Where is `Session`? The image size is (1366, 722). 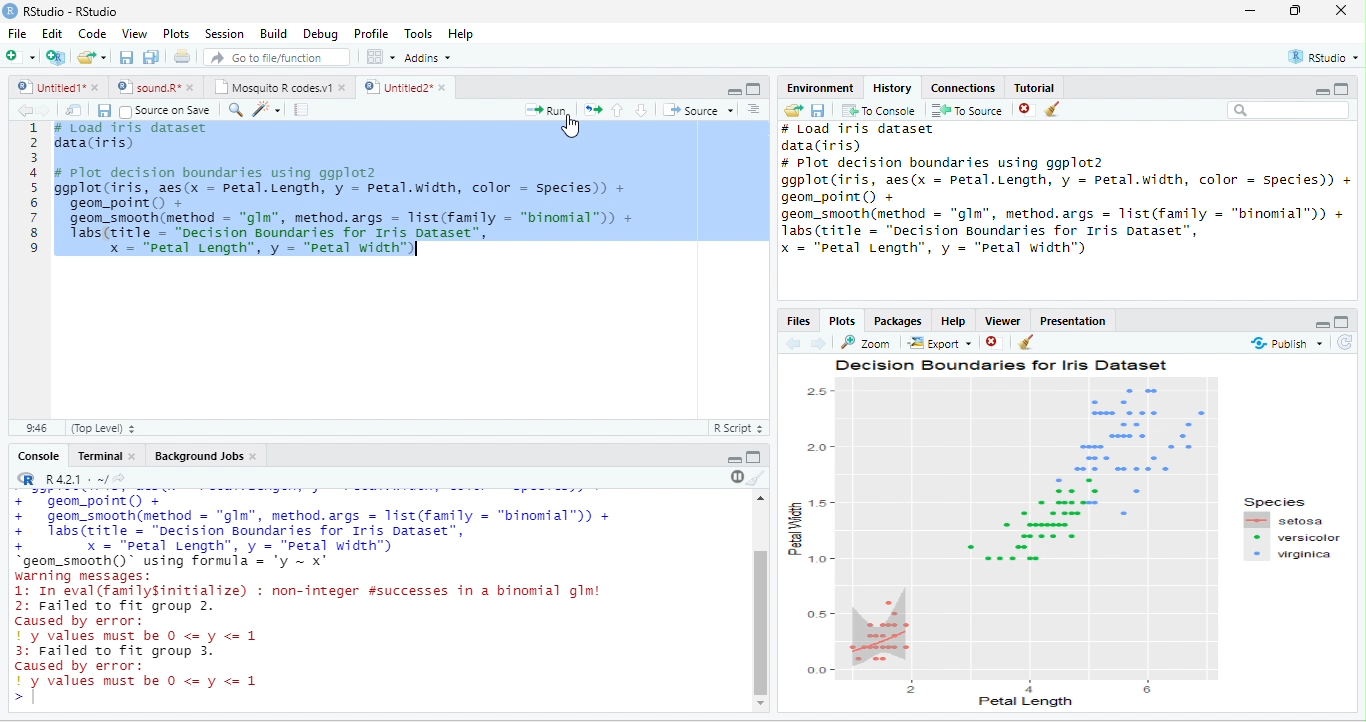 Session is located at coordinates (226, 35).